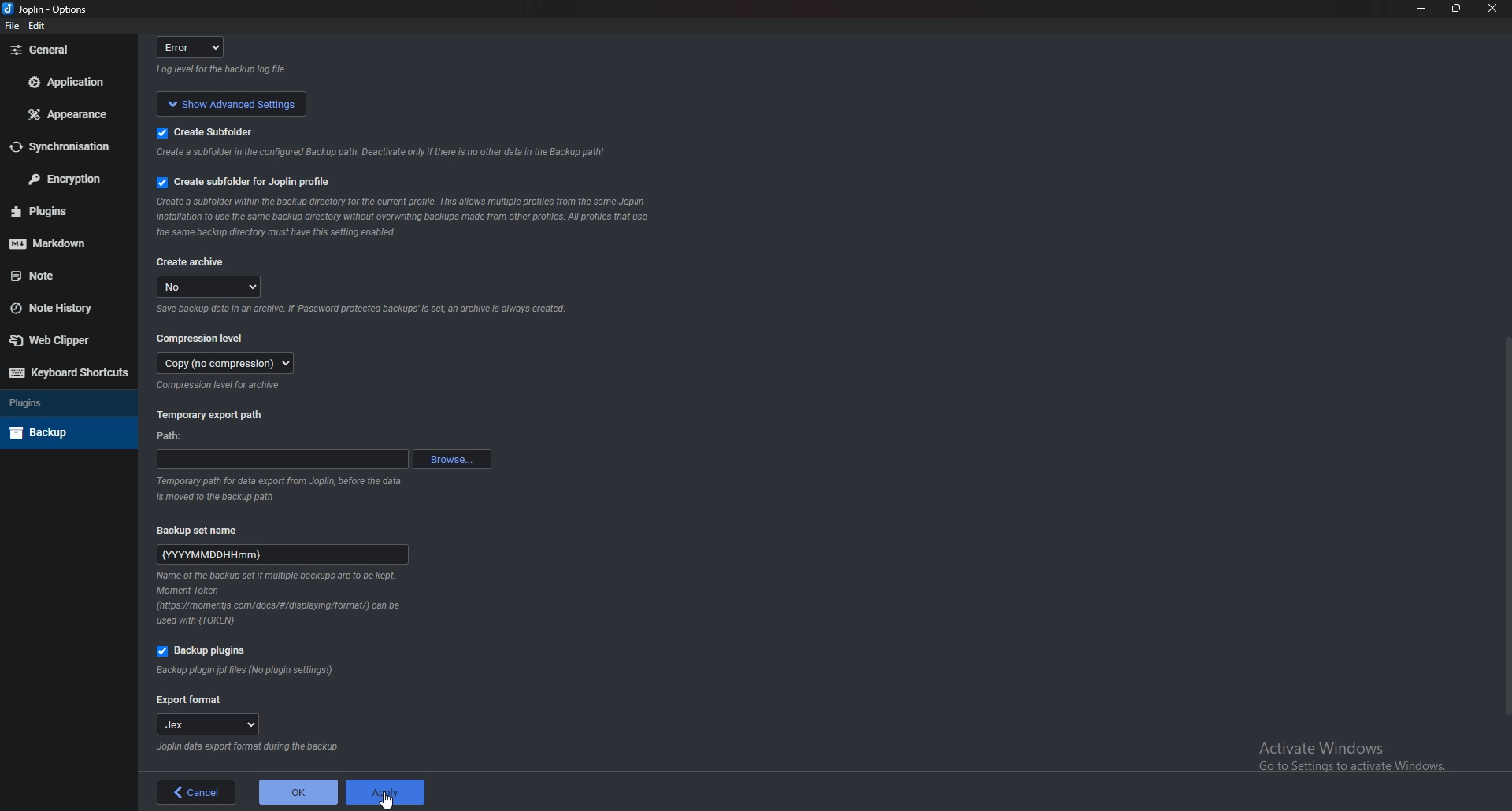  What do you see at coordinates (62, 147) in the screenshot?
I see `Synchronization` at bounding box center [62, 147].